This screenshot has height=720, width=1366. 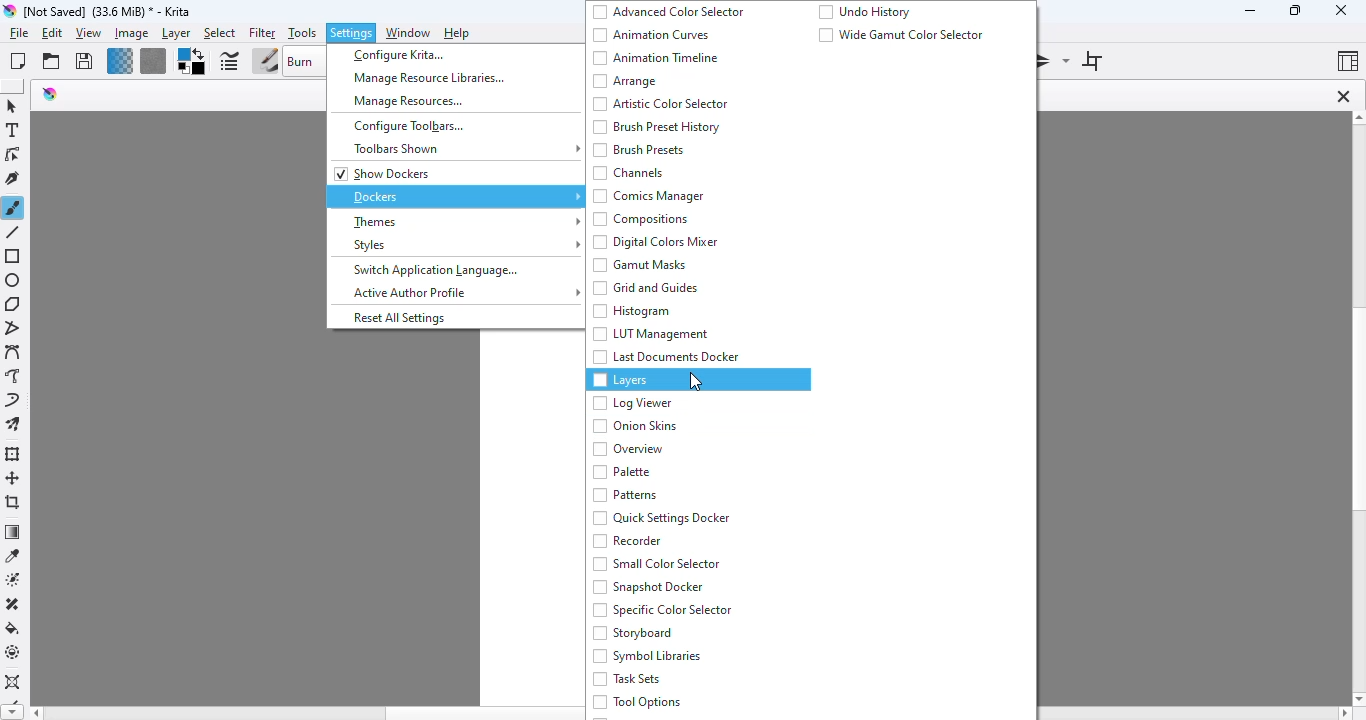 I want to click on active author profile, so click(x=466, y=293).